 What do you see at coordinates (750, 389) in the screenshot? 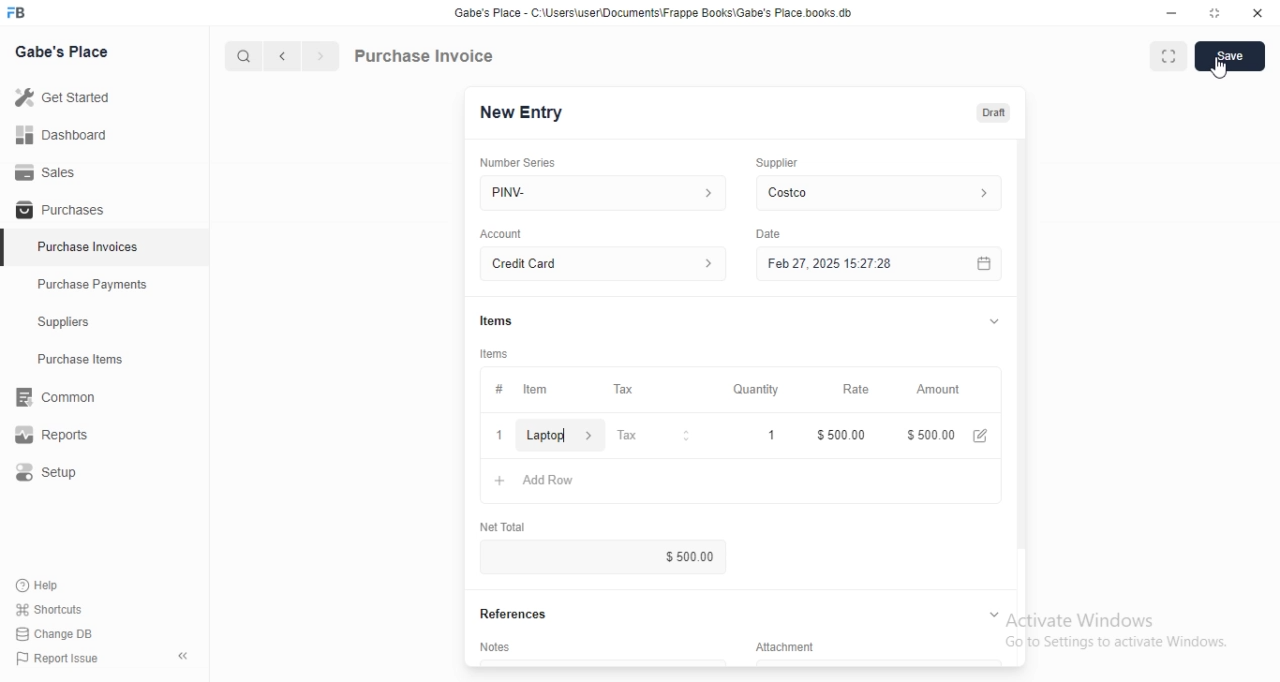
I see `Quantity` at bounding box center [750, 389].